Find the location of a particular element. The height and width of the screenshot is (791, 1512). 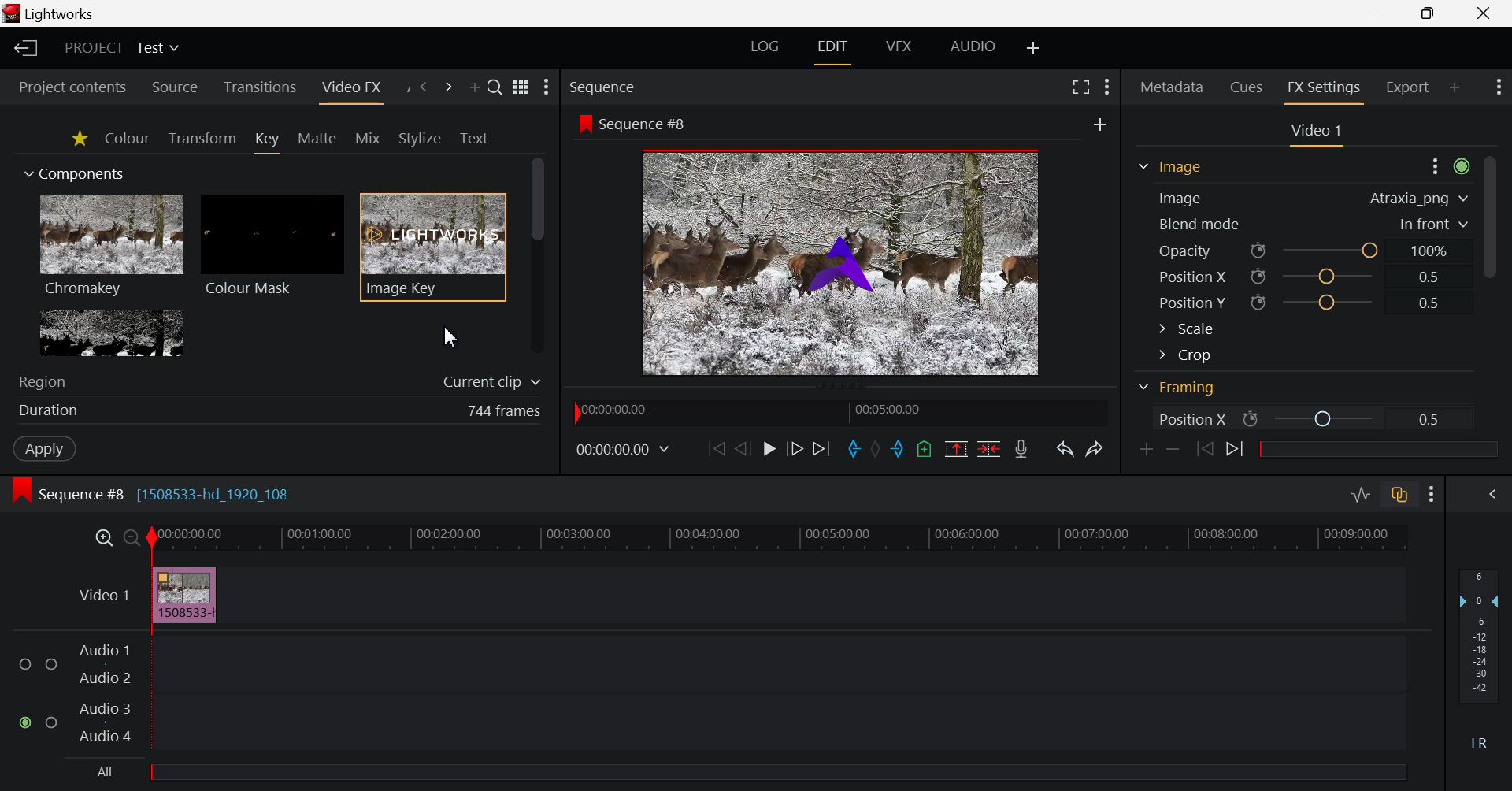

Video Settings is located at coordinates (1319, 134).